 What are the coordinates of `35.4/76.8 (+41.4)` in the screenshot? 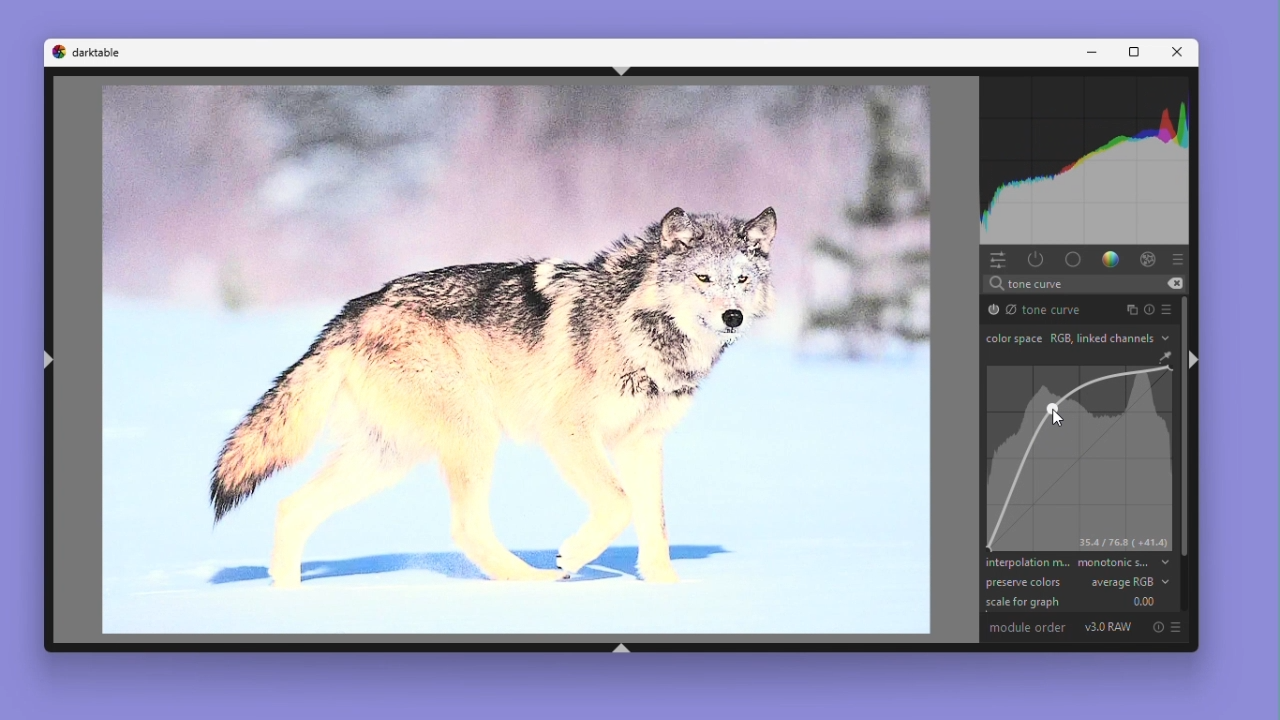 It's located at (1120, 543).